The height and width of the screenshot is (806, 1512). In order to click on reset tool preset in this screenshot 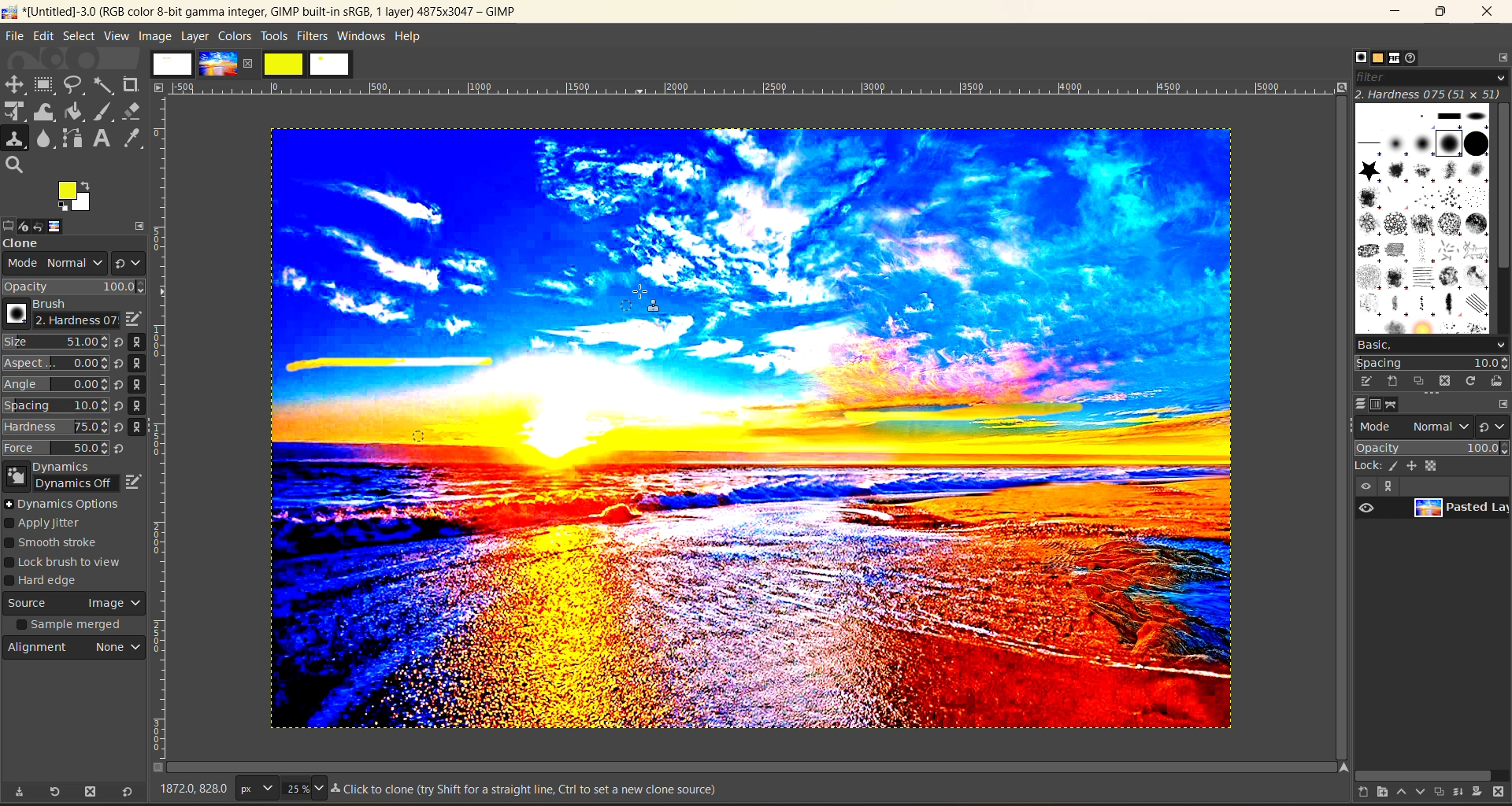, I will do `click(55, 791)`.